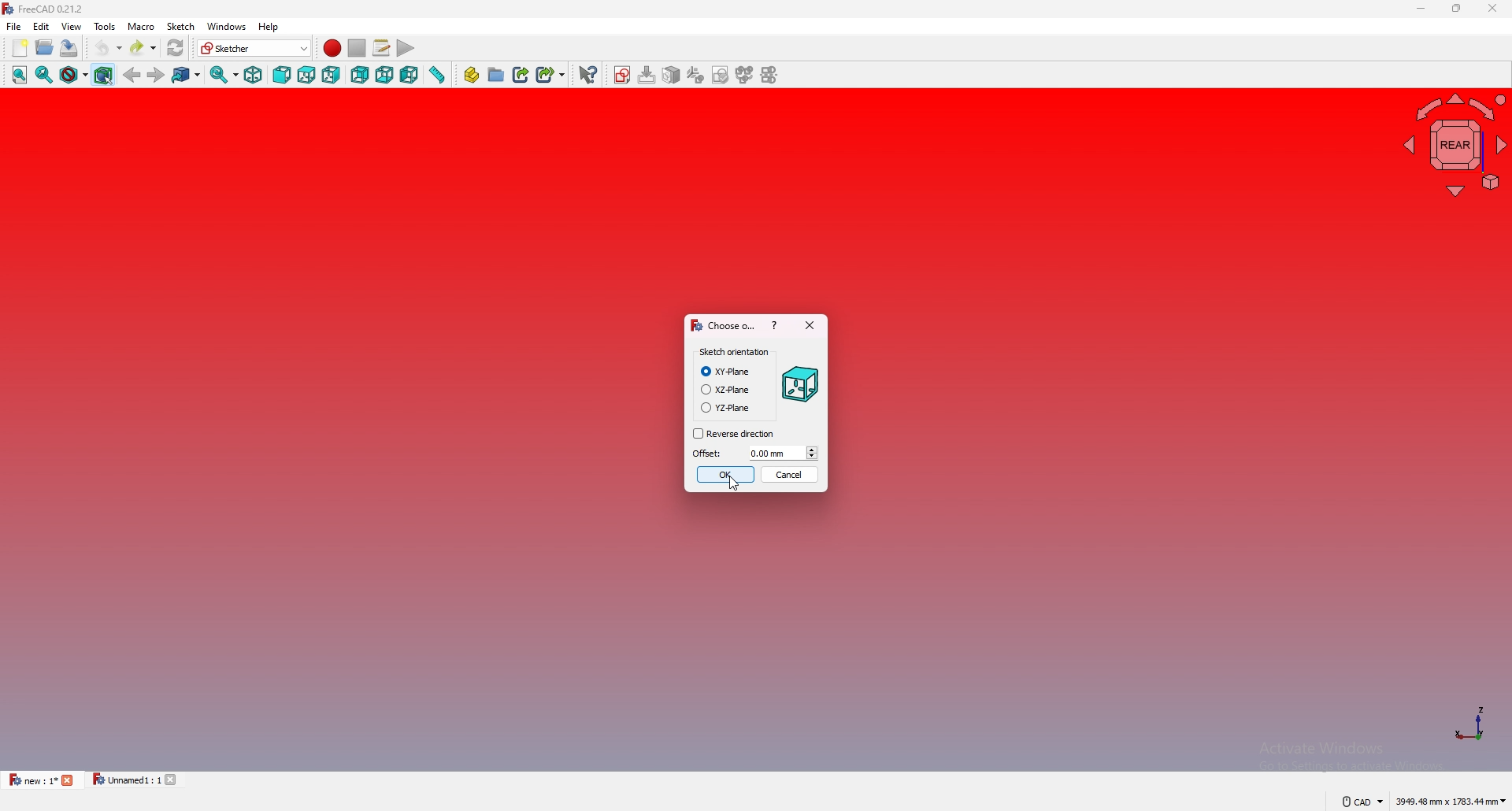 This screenshot has width=1512, height=811. Describe the element at coordinates (776, 454) in the screenshot. I see `0.00 mm` at that location.